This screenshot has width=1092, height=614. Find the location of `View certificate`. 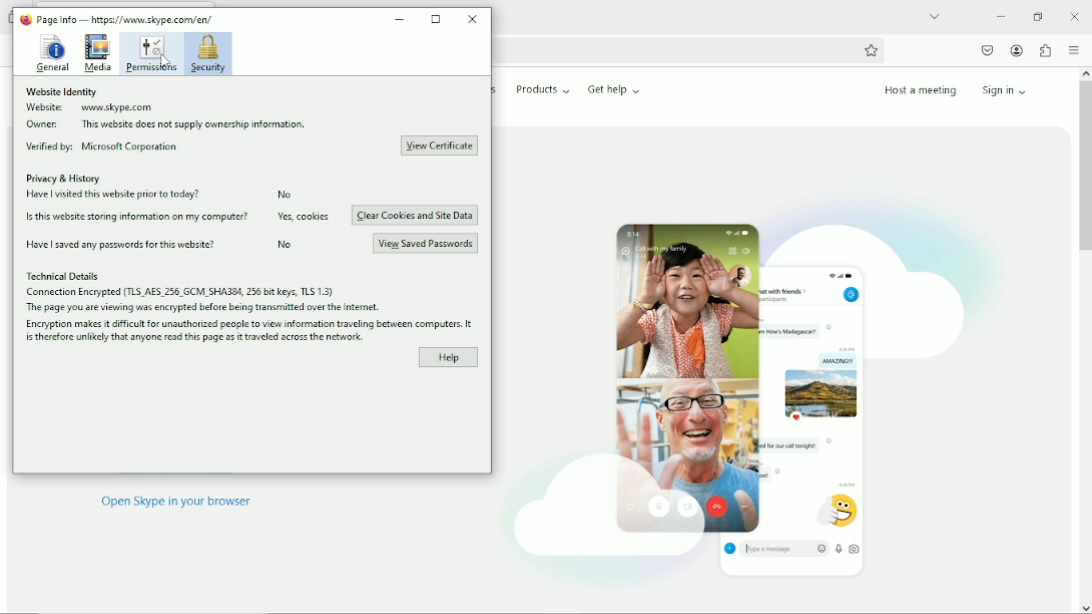

View certificate is located at coordinates (438, 145).